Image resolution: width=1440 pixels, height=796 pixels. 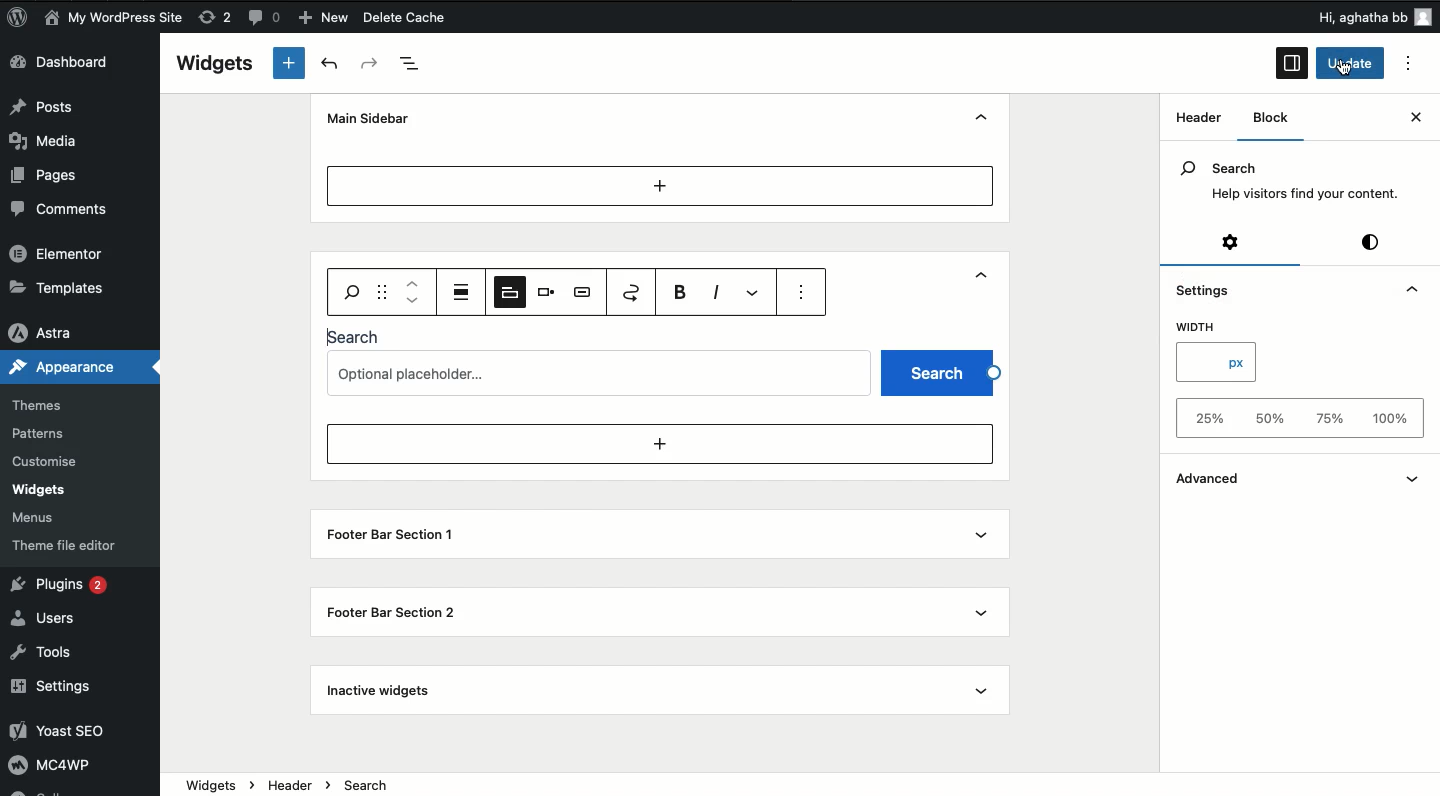 What do you see at coordinates (370, 63) in the screenshot?
I see `Redo` at bounding box center [370, 63].